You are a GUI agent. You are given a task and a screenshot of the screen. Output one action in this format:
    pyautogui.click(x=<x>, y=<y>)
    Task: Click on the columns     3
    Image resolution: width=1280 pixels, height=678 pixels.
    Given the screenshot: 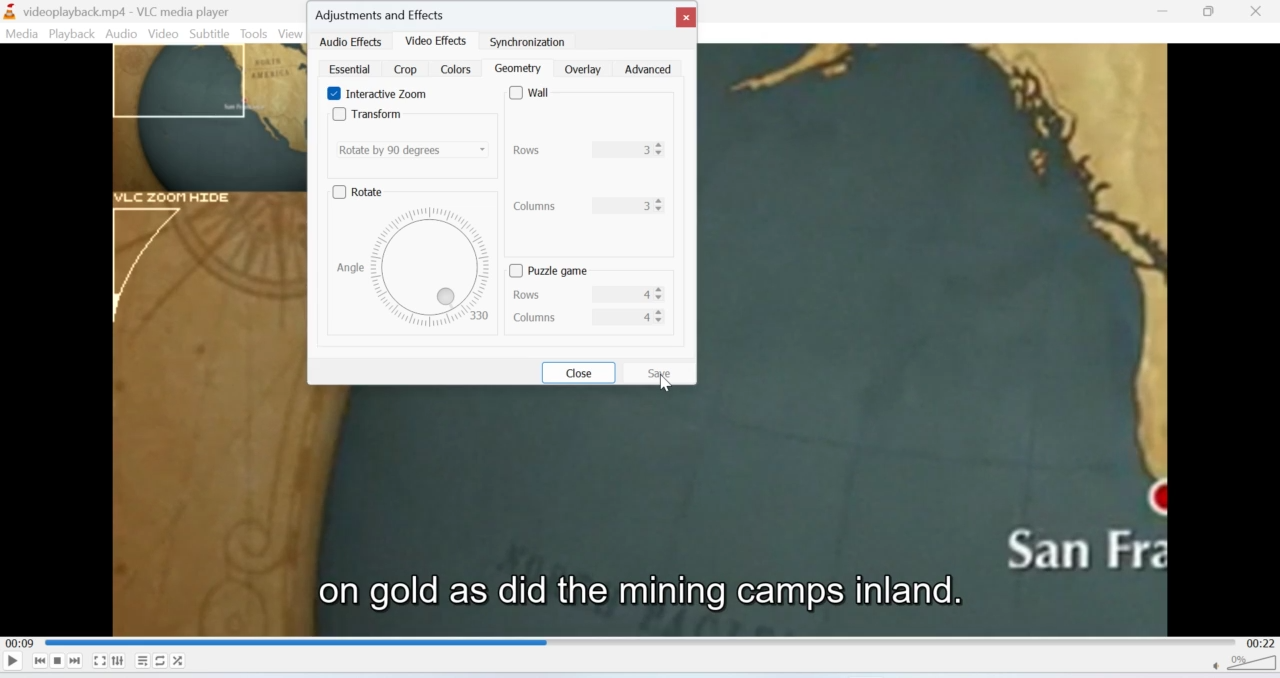 What is the action you would take?
    pyautogui.click(x=589, y=205)
    